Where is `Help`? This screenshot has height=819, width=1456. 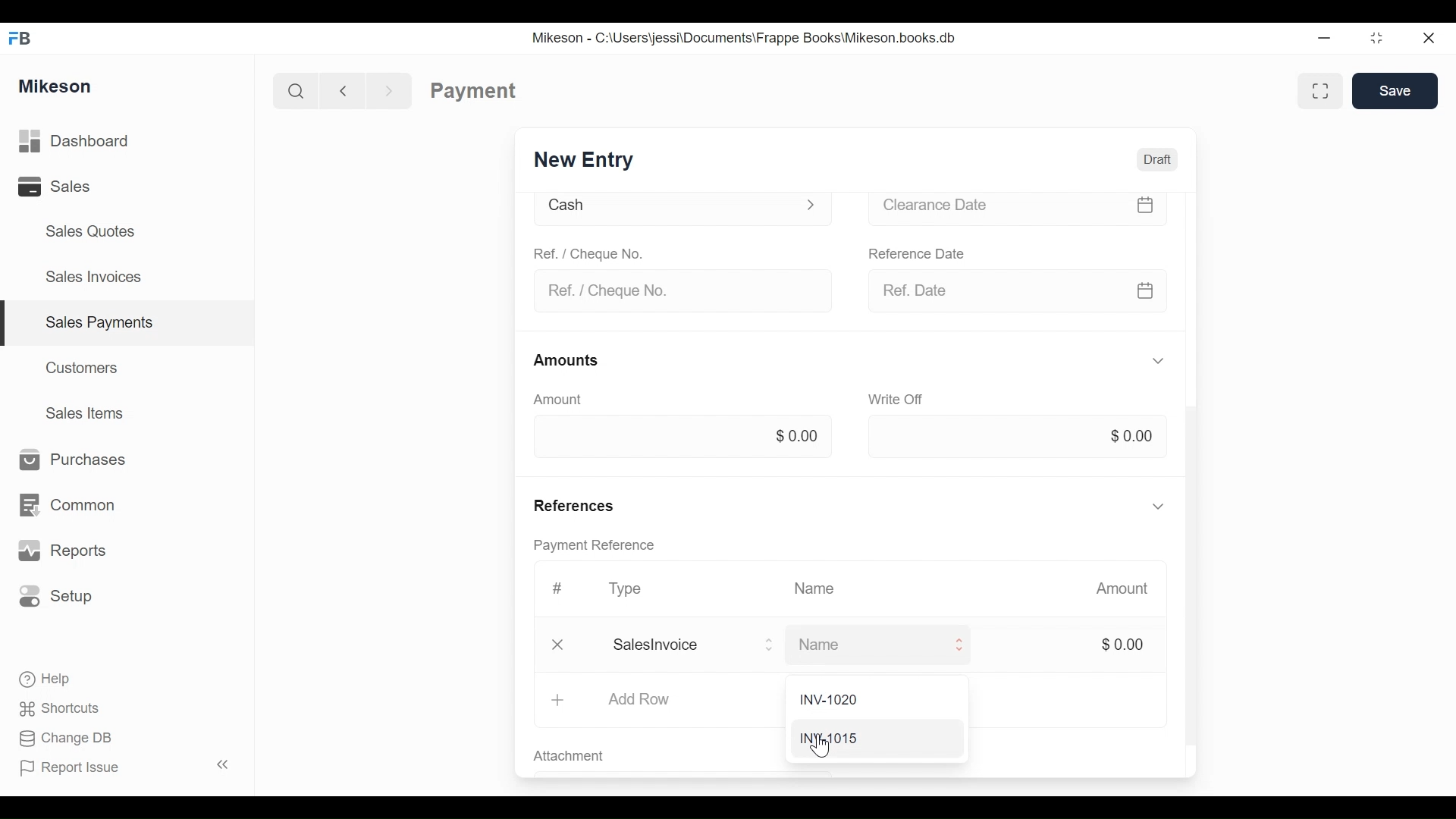
Help is located at coordinates (56, 679).